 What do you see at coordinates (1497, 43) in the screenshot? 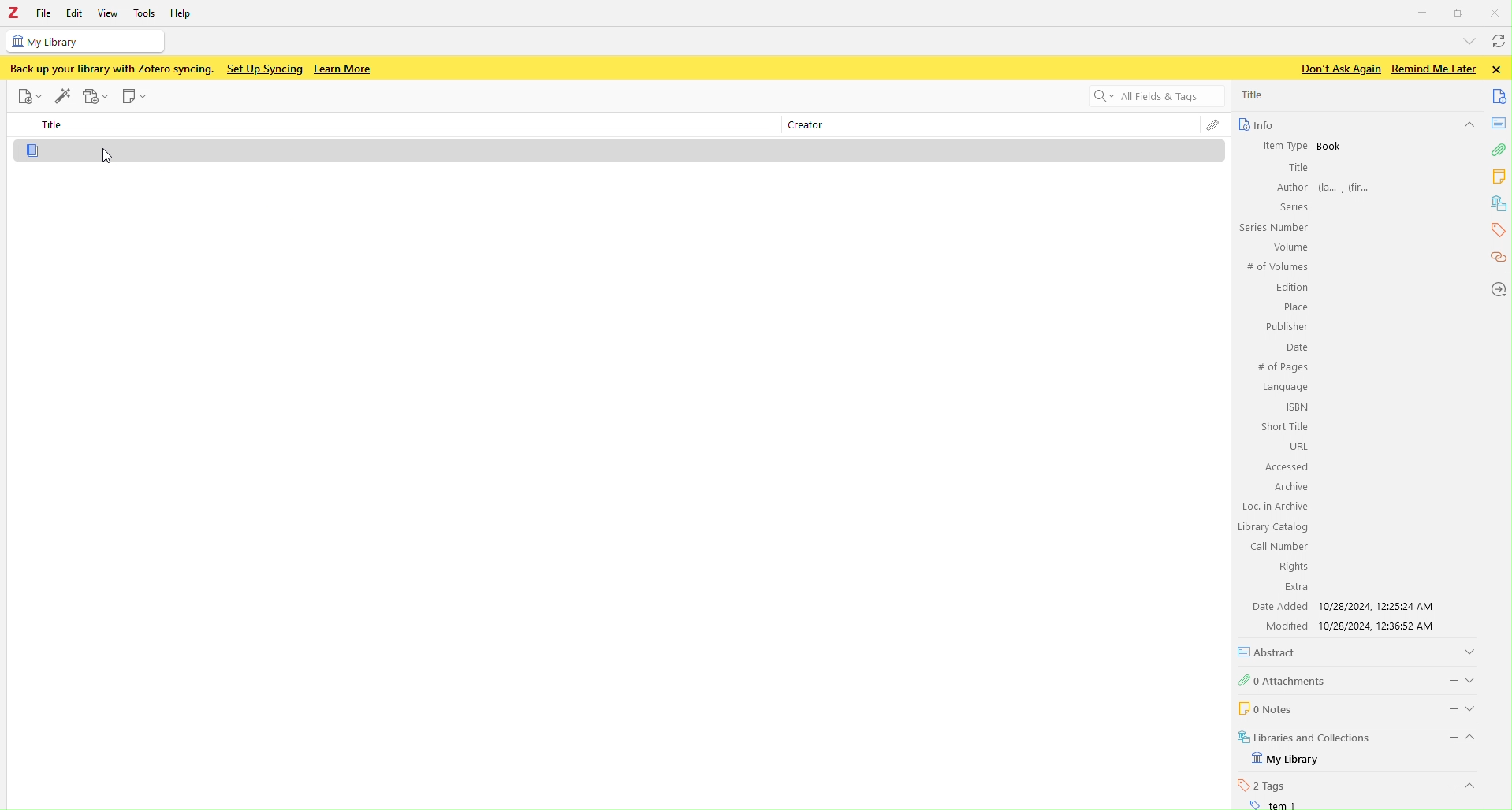
I see `refresh ` at bounding box center [1497, 43].